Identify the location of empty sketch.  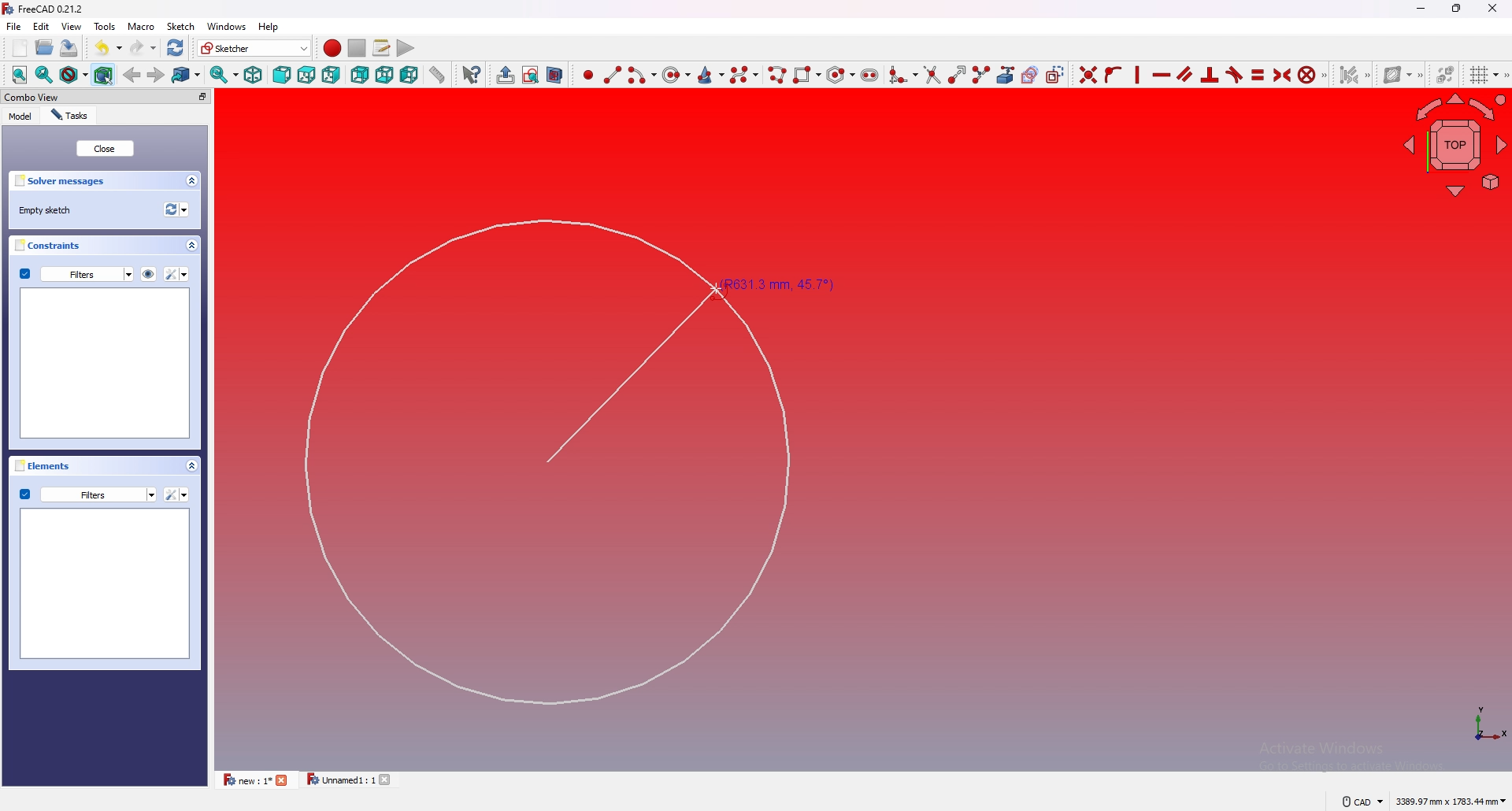
(49, 210).